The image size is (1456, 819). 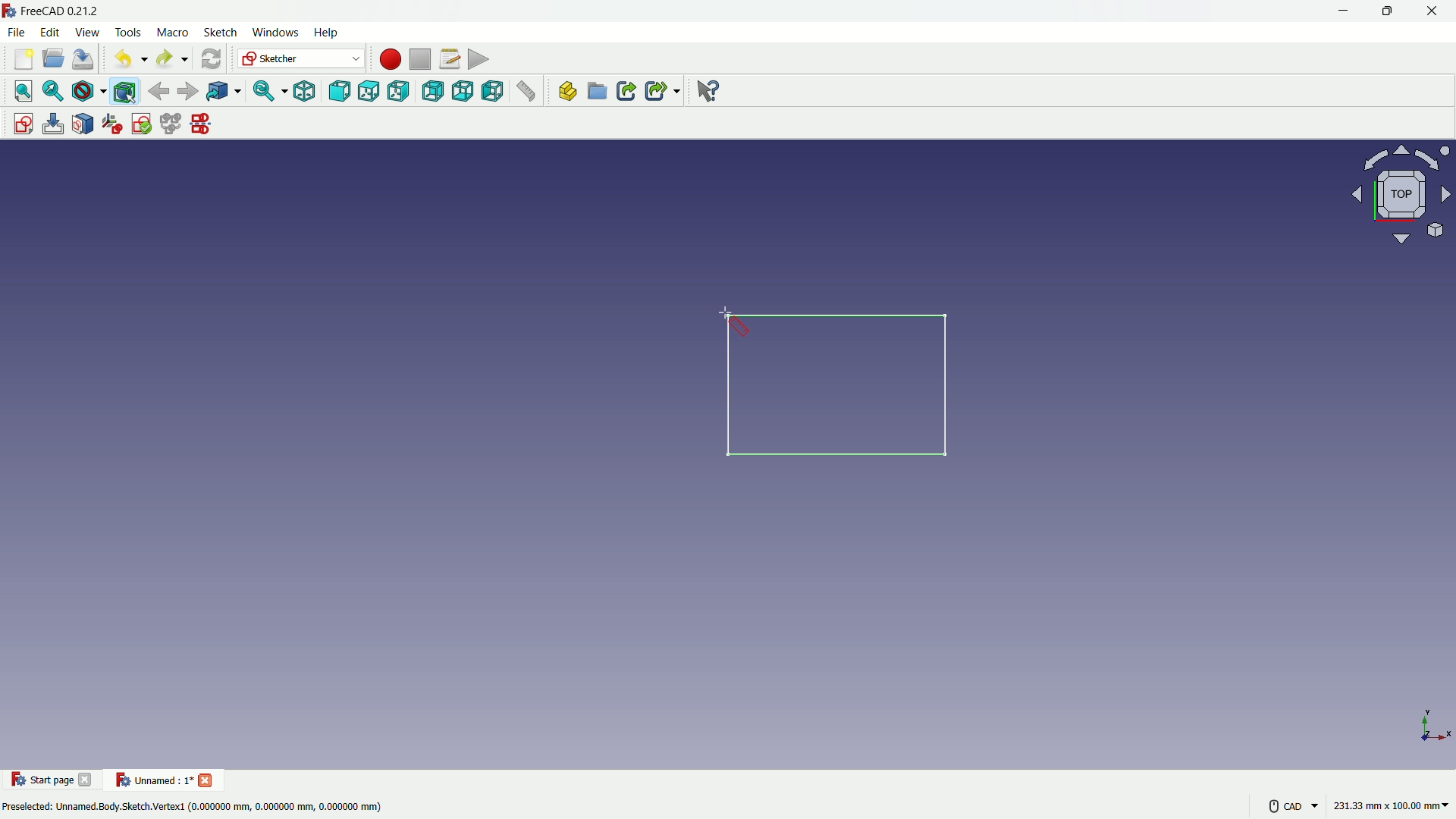 What do you see at coordinates (328, 33) in the screenshot?
I see `help menu` at bounding box center [328, 33].